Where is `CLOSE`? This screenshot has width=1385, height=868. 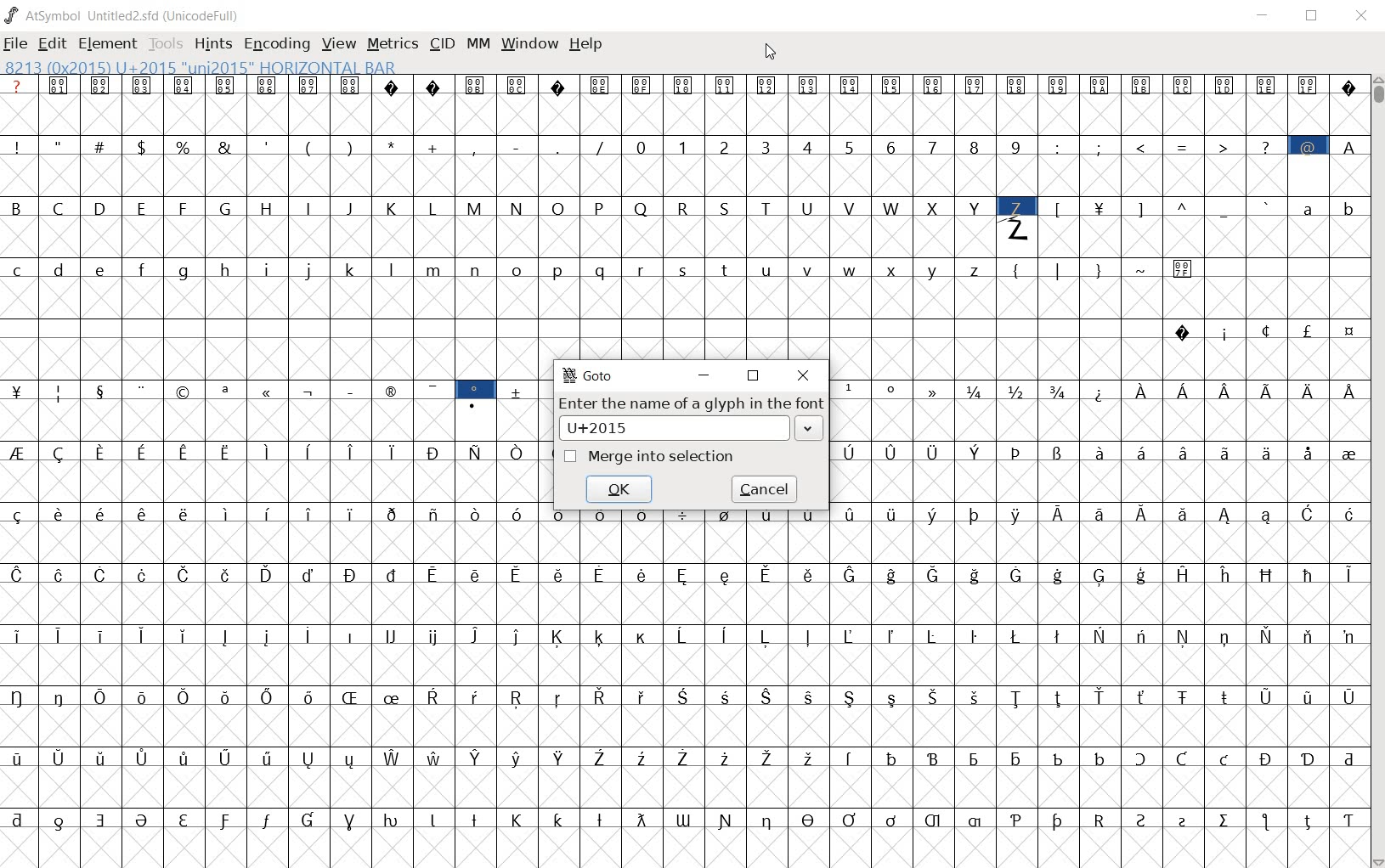 CLOSE is located at coordinates (802, 376).